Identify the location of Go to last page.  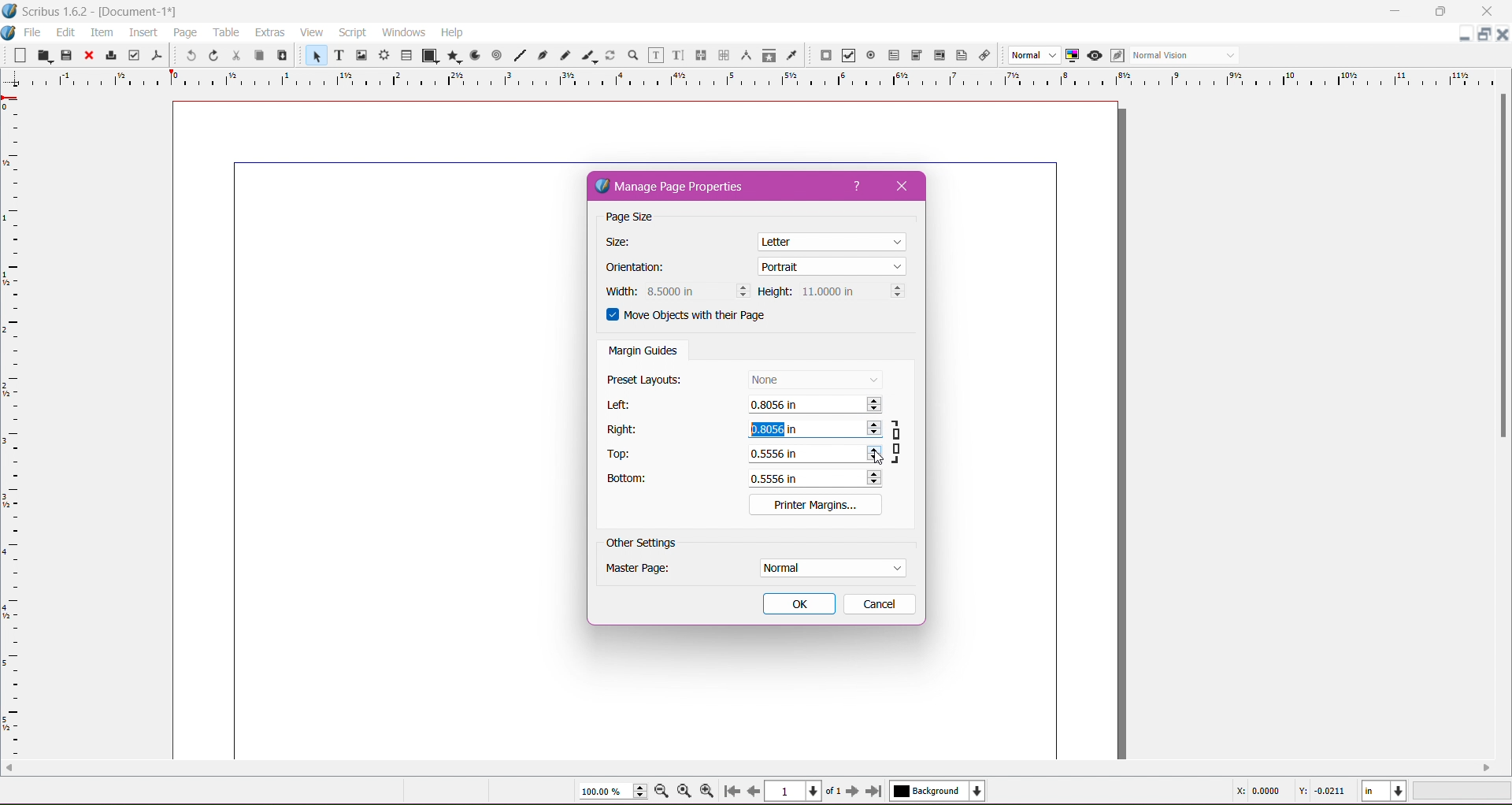
(875, 792).